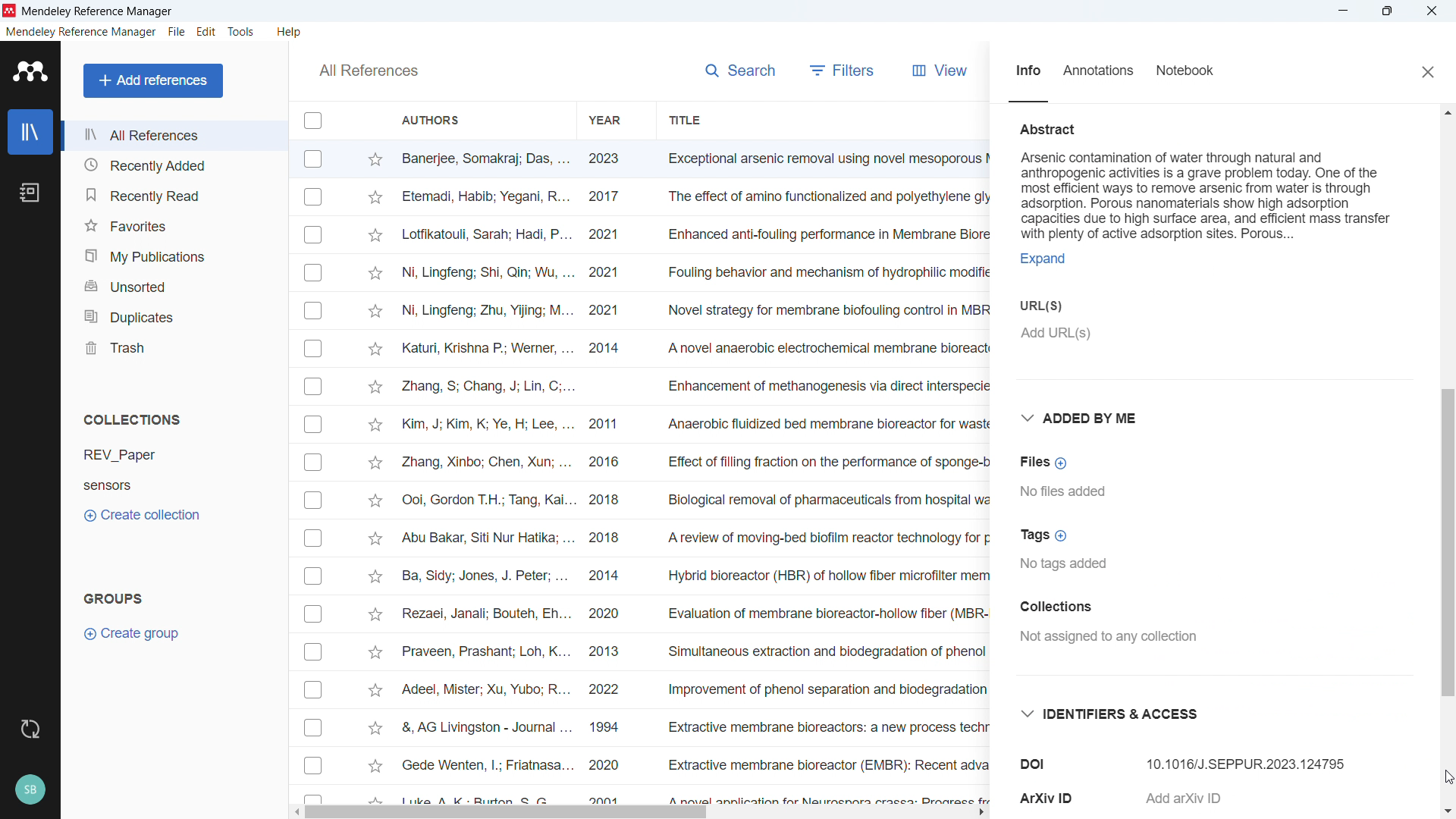  I want to click on Vertical scroll bar , so click(1447, 543).